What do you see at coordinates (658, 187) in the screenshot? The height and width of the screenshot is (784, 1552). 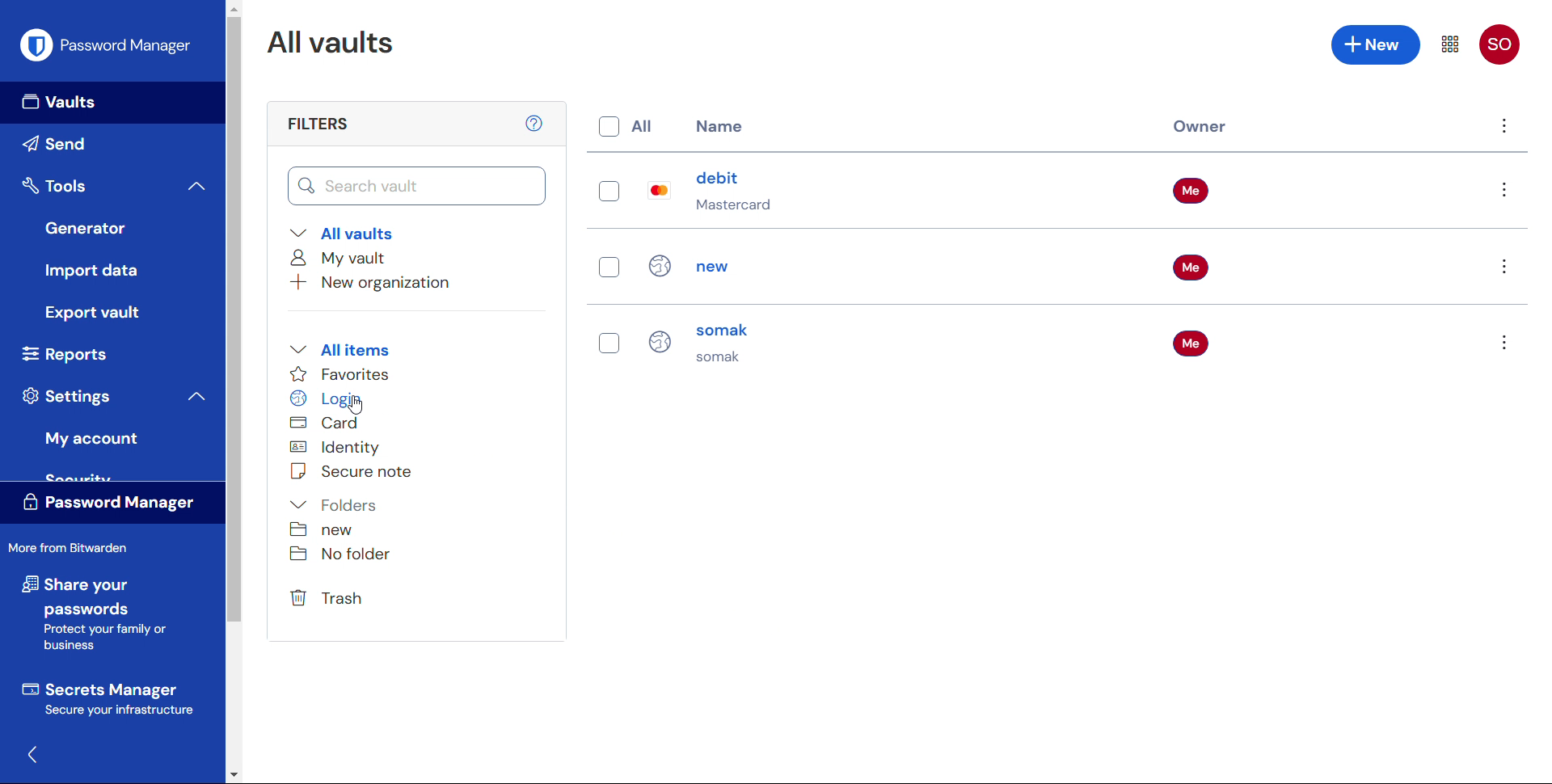 I see `Card` at bounding box center [658, 187].